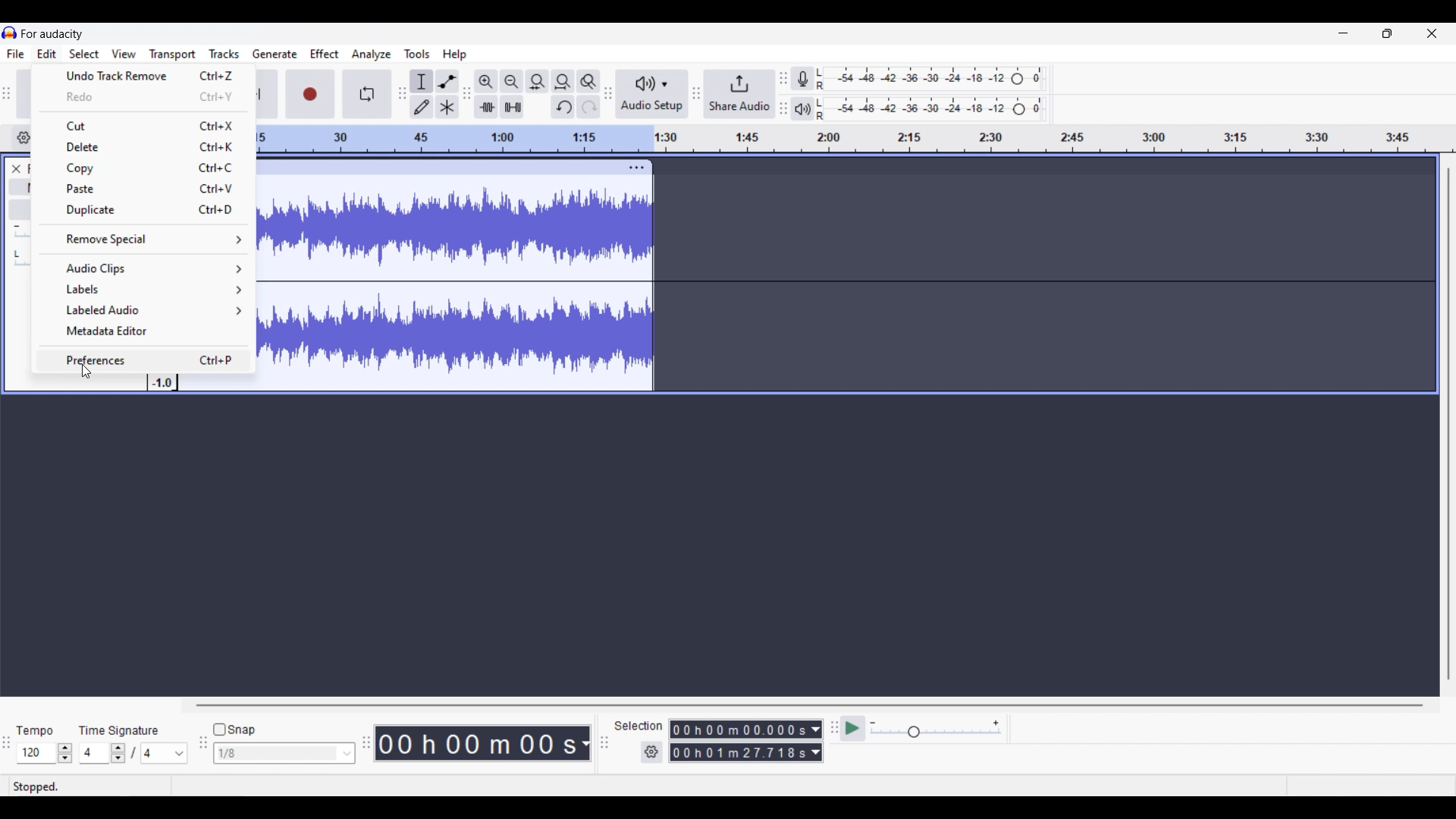 This screenshot has width=1456, height=819. I want to click on Playback speed settings, so click(937, 728).